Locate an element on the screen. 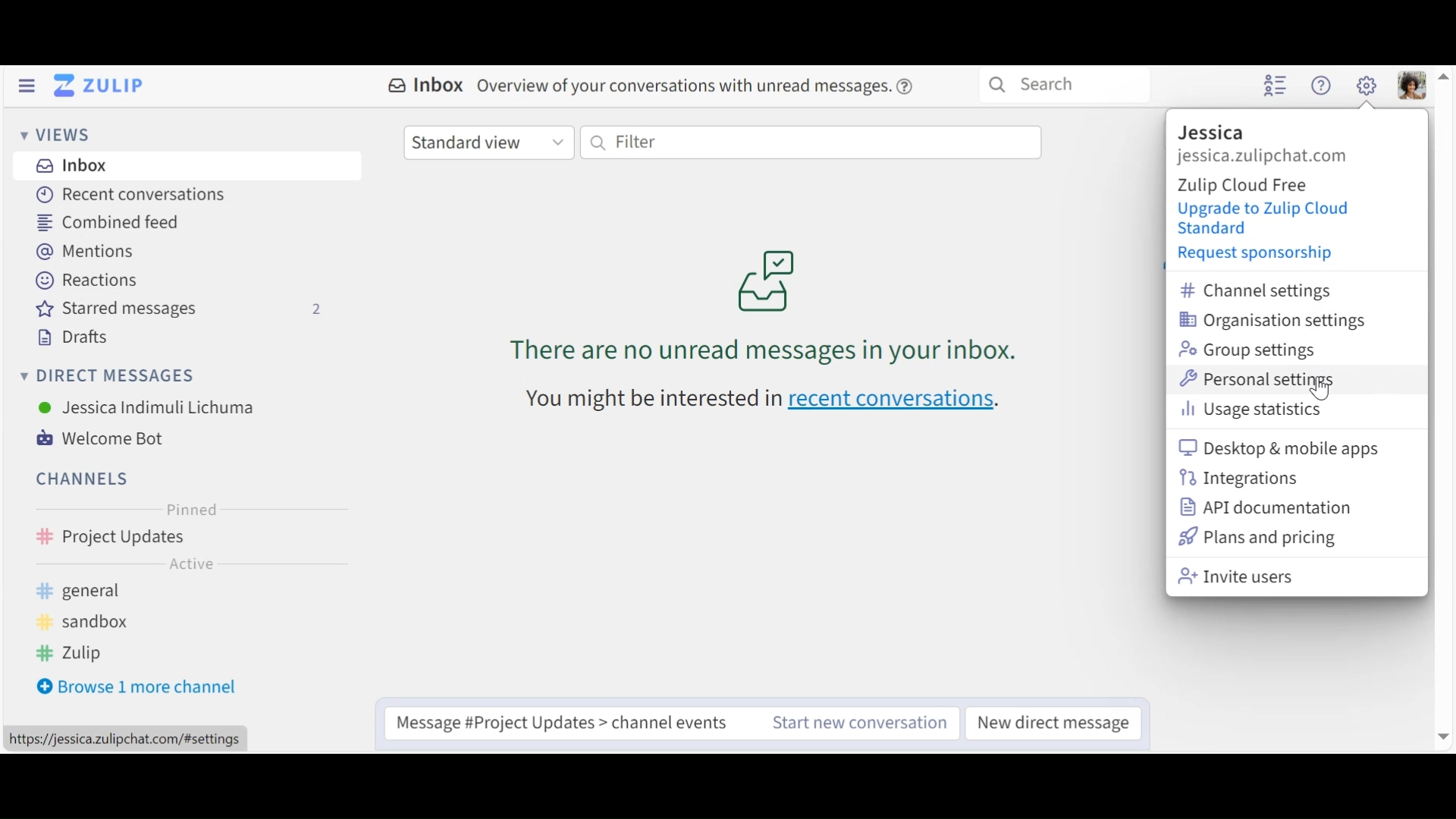  no unread messages in your inbox is located at coordinates (754, 302).